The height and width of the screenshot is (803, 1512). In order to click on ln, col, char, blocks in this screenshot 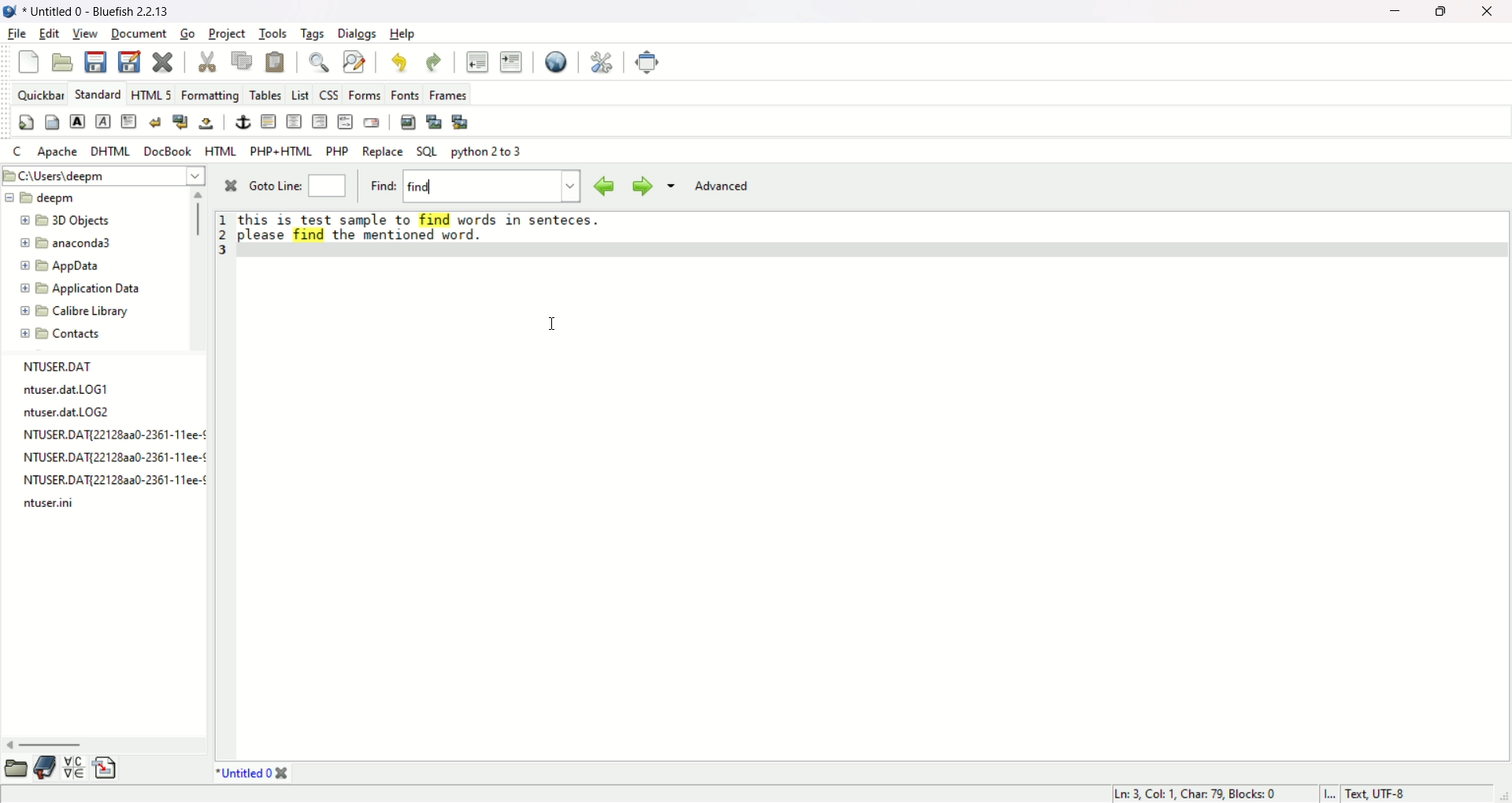, I will do `click(1192, 795)`.